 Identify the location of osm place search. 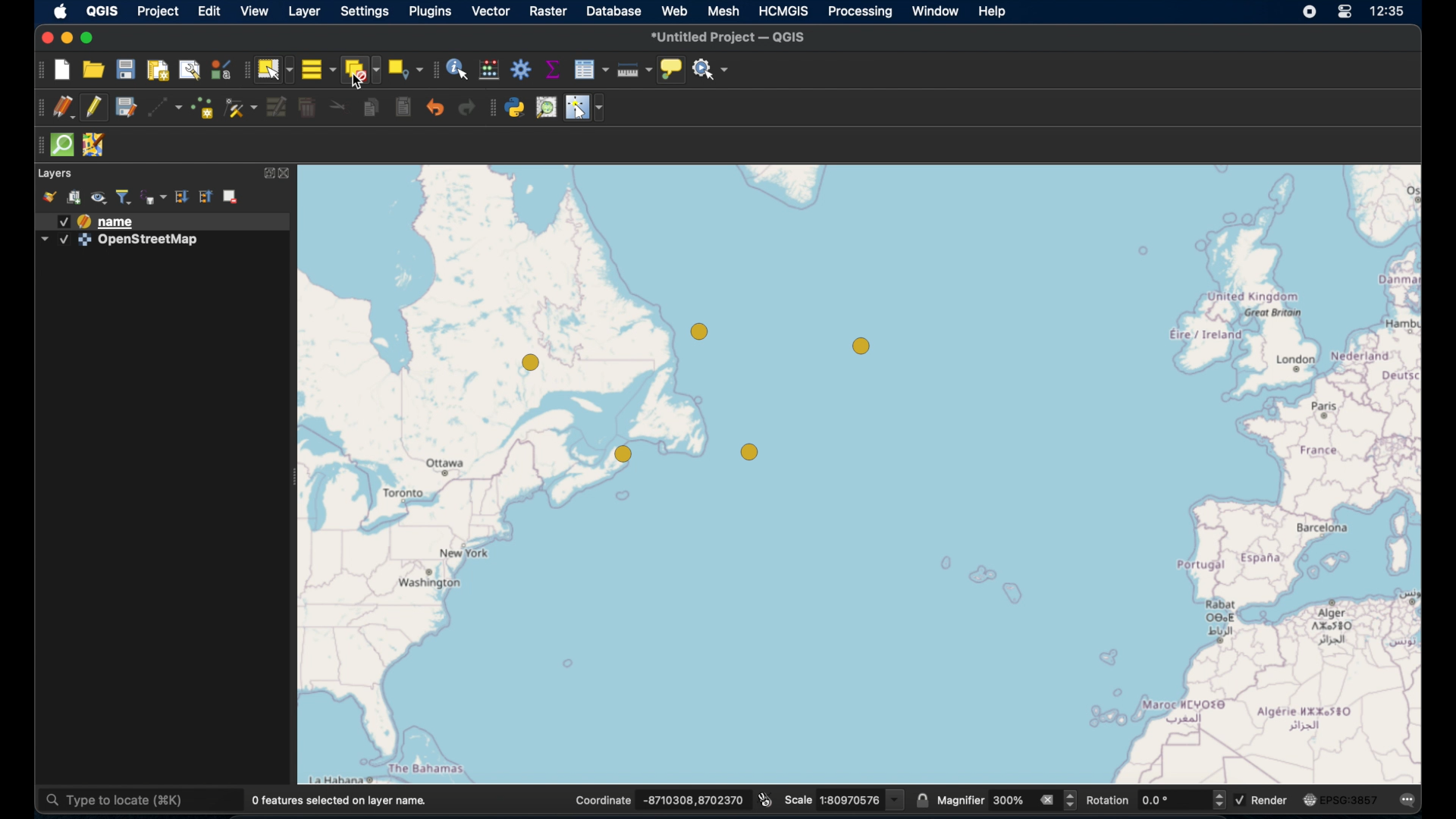
(548, 108).